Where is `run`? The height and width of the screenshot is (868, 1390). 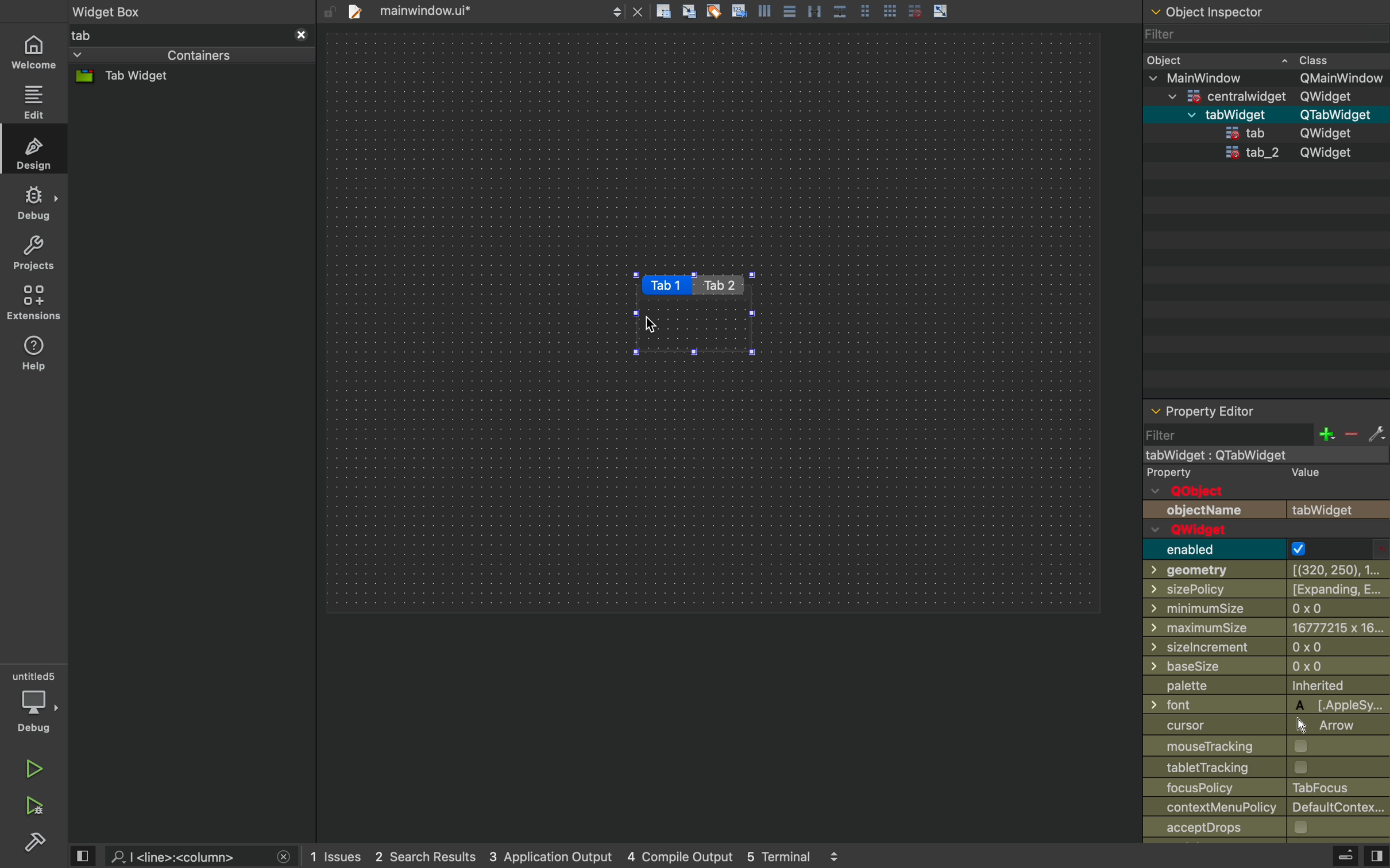
run is located at coordinates (36, 772).